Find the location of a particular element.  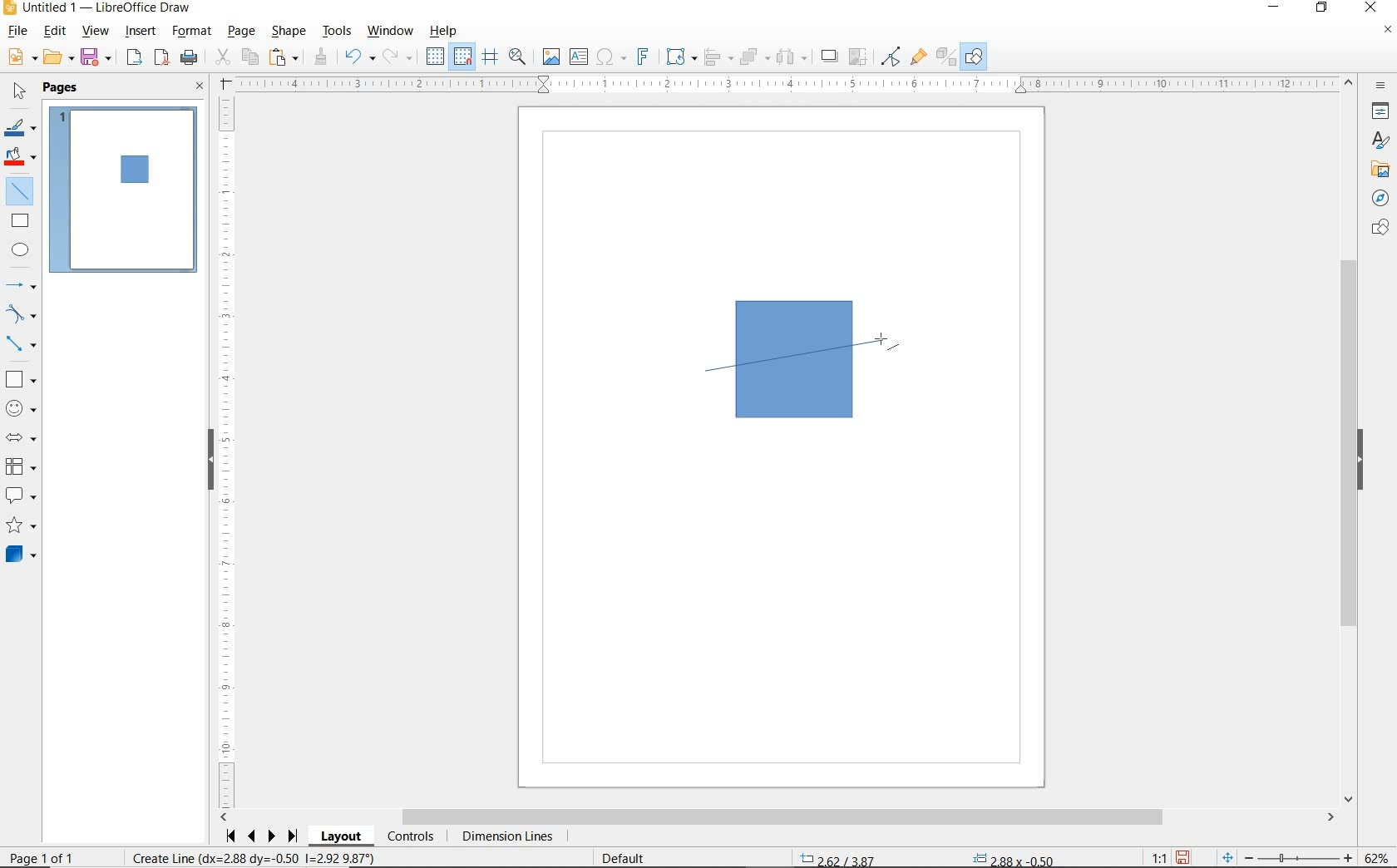

FORMAT is located at coordinates (192, 32).